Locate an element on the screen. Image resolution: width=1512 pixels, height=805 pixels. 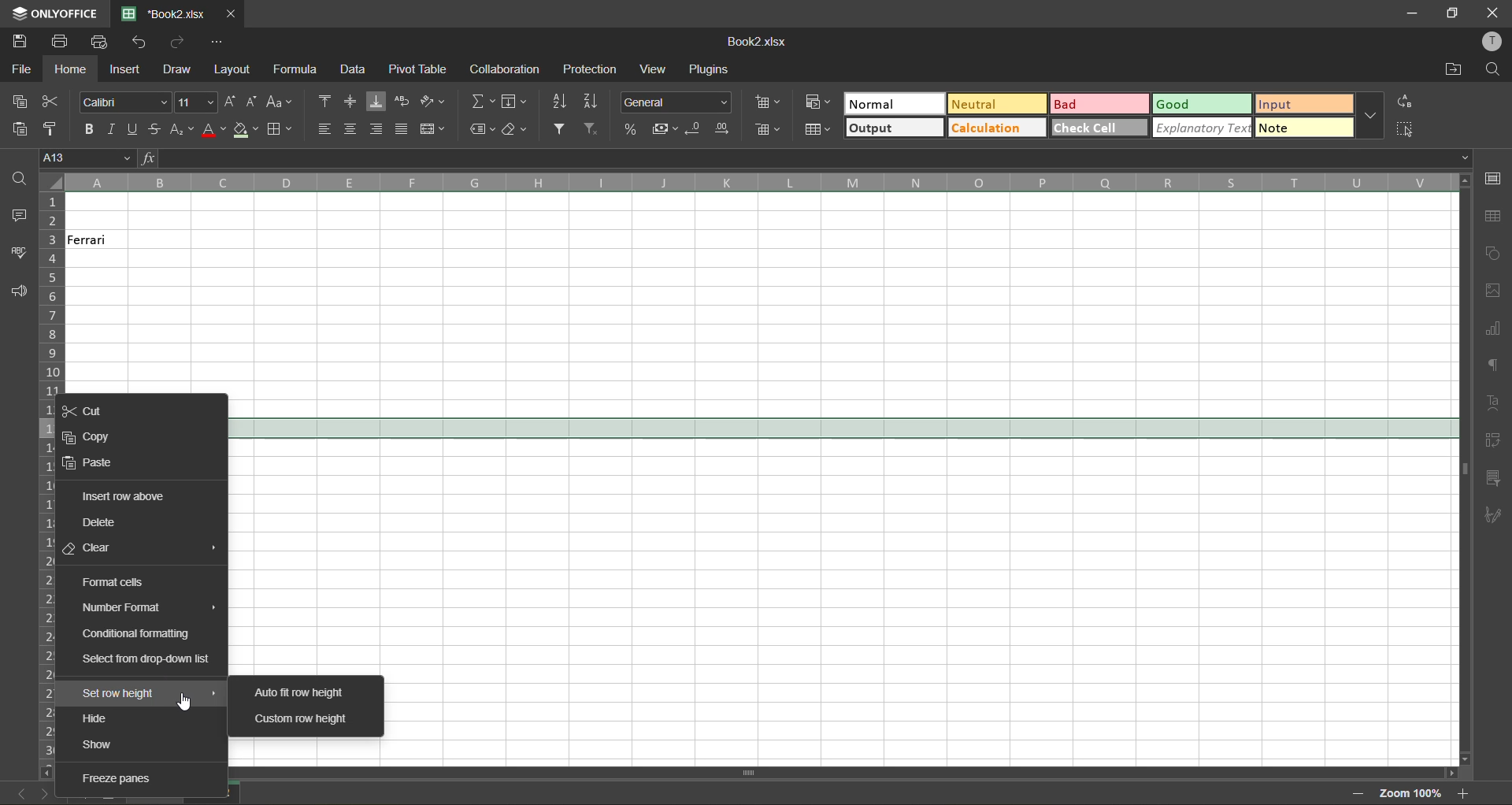
zoom in is located at coordinates (1466, 795).